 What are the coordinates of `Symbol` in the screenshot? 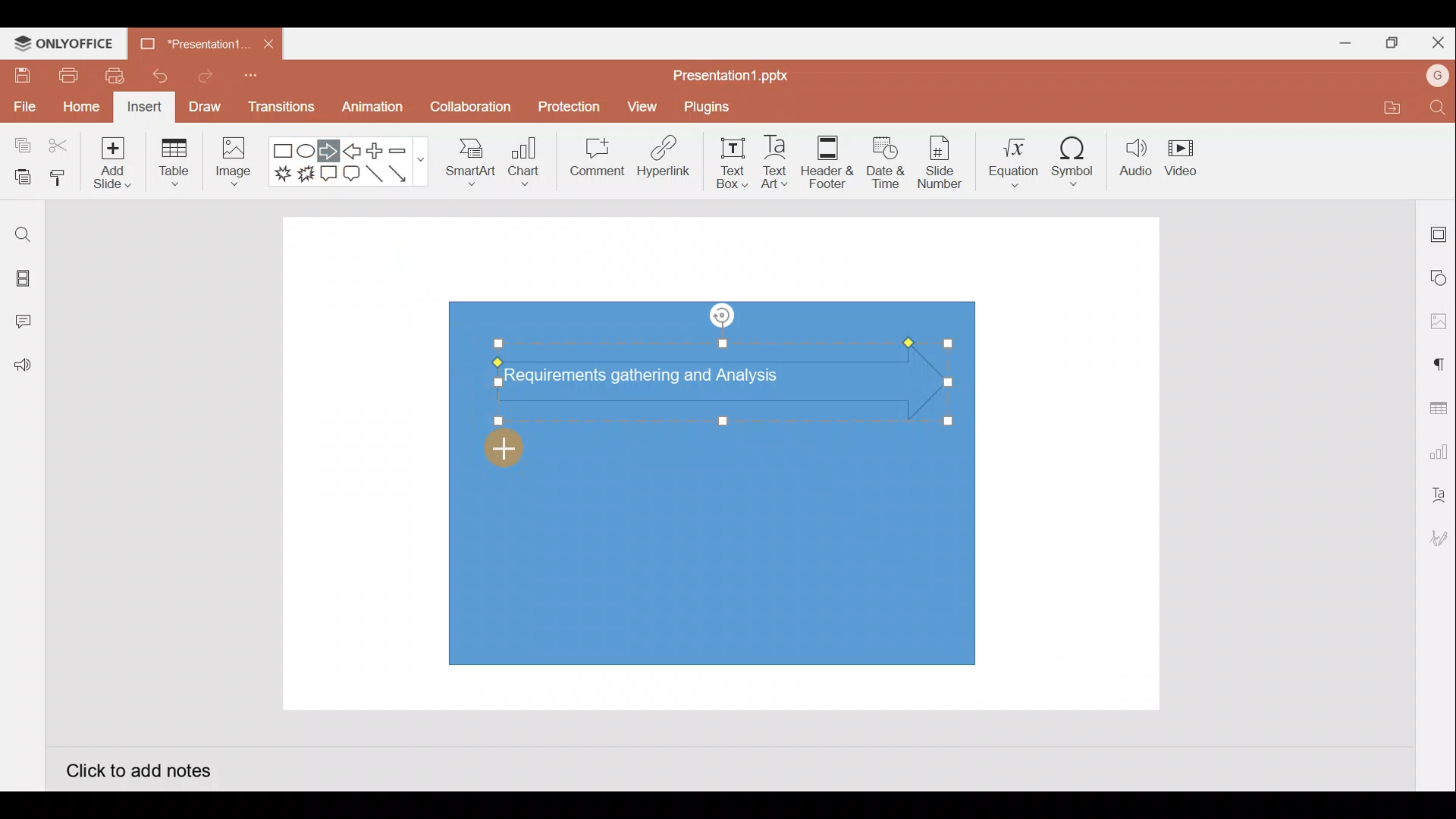 It's located at (1074, 158).